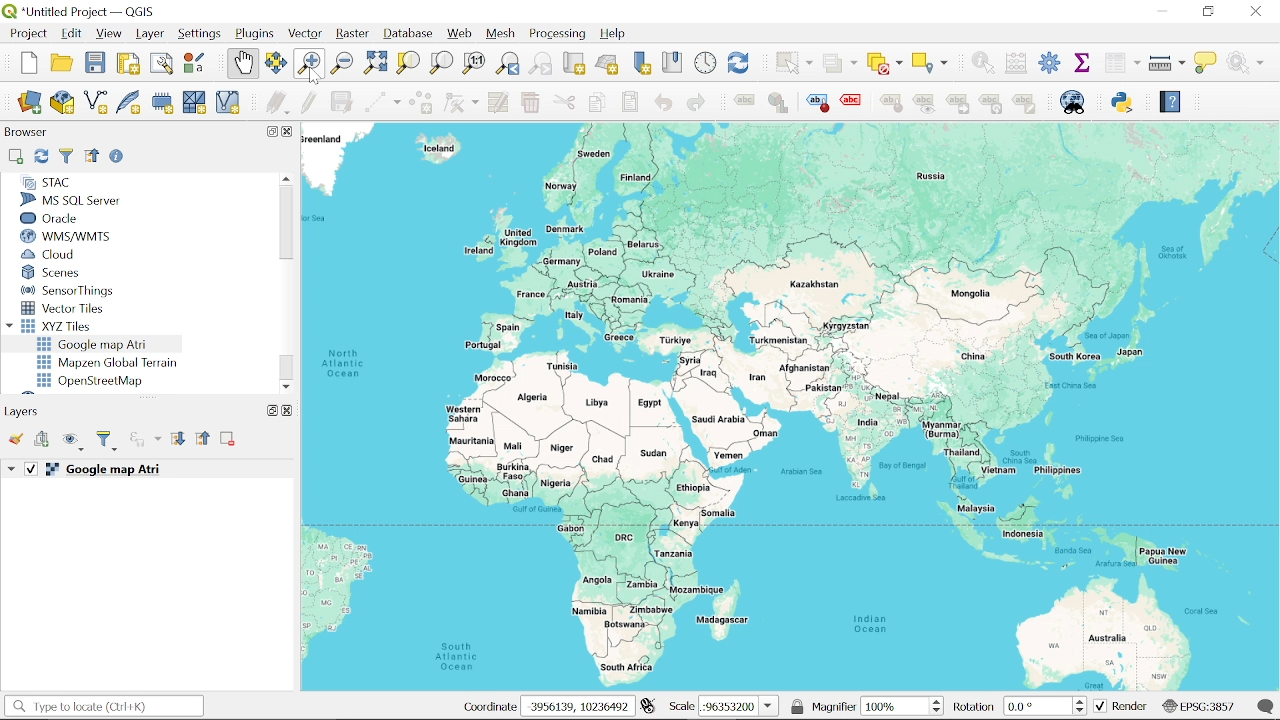 The width and height of the screenshot is (1280, 720). What do you see at coordinates (1267, 706) in the screenshot?
I see `Comment` at bounding box center [1267, 706].